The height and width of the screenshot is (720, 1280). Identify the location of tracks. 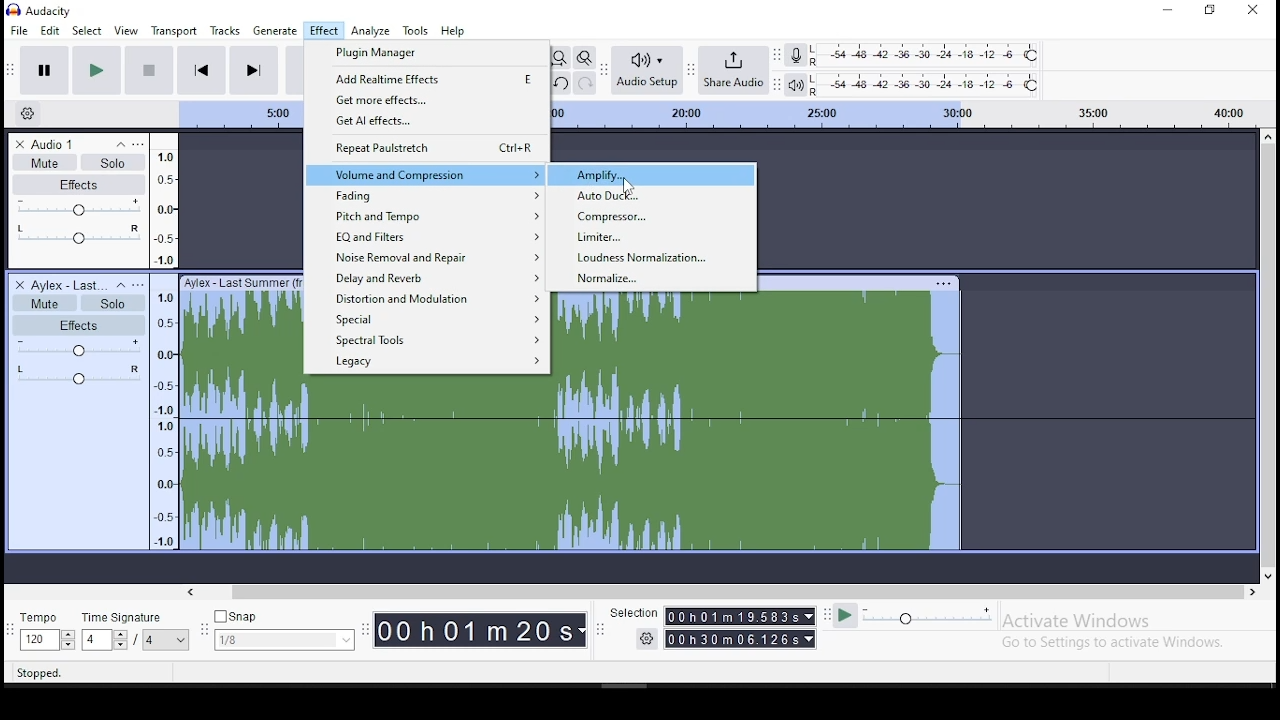
(226, 30).